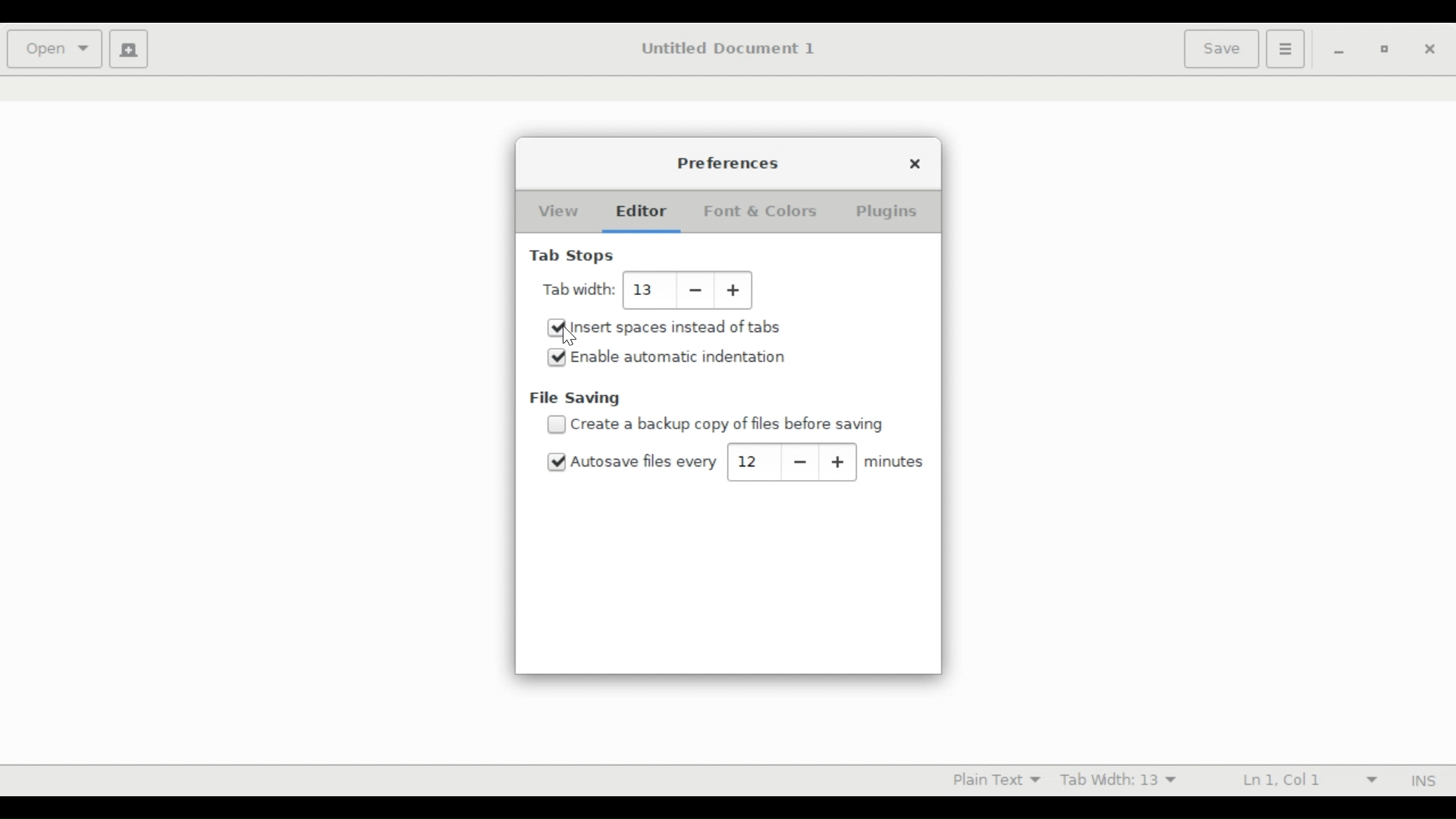 The height and width of the screenshot is (819, 1456). Describe the element at coordinates (918, 164) in the screenshot. I see `Close` at that location.